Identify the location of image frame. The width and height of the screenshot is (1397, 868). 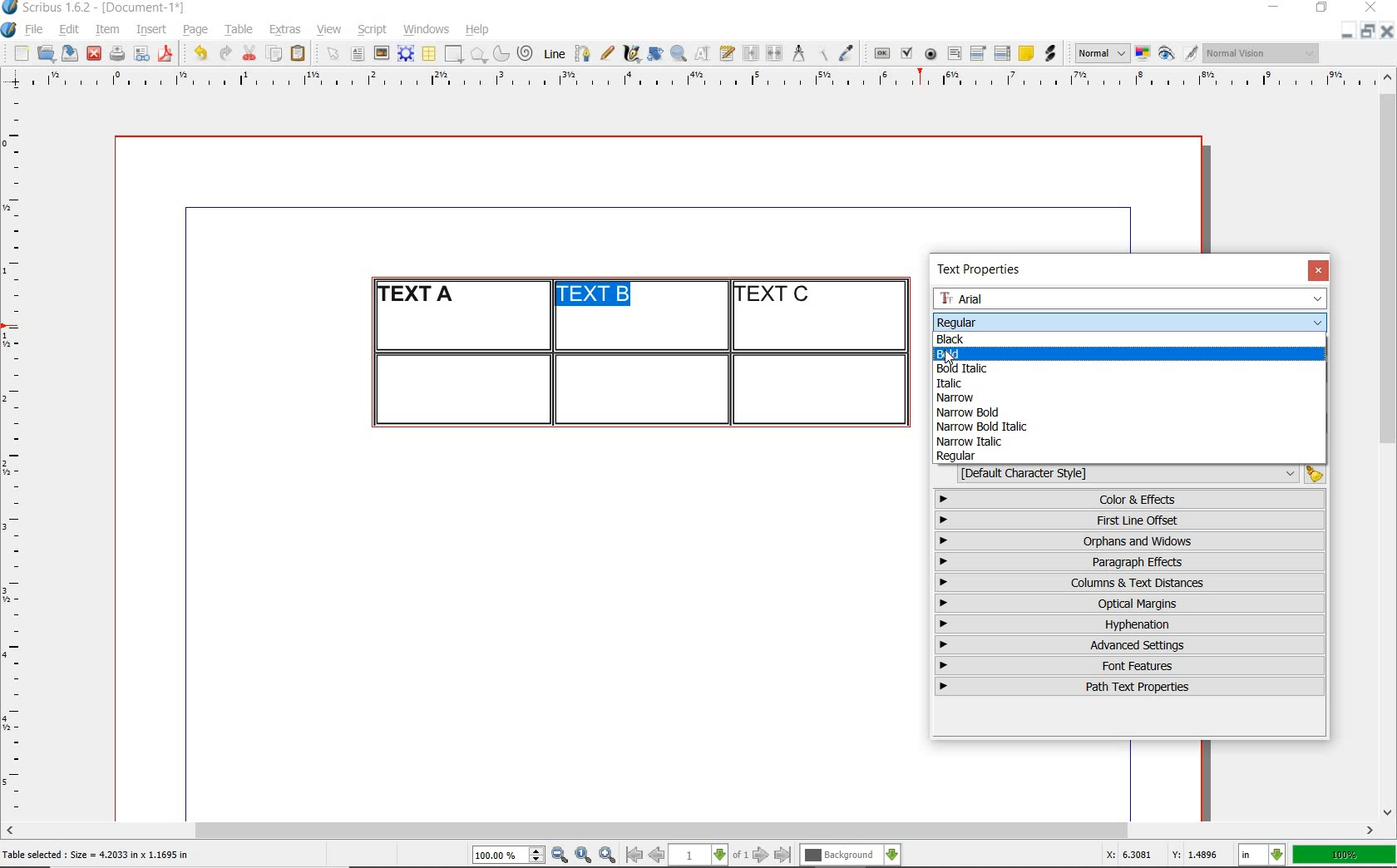
(383, 53).